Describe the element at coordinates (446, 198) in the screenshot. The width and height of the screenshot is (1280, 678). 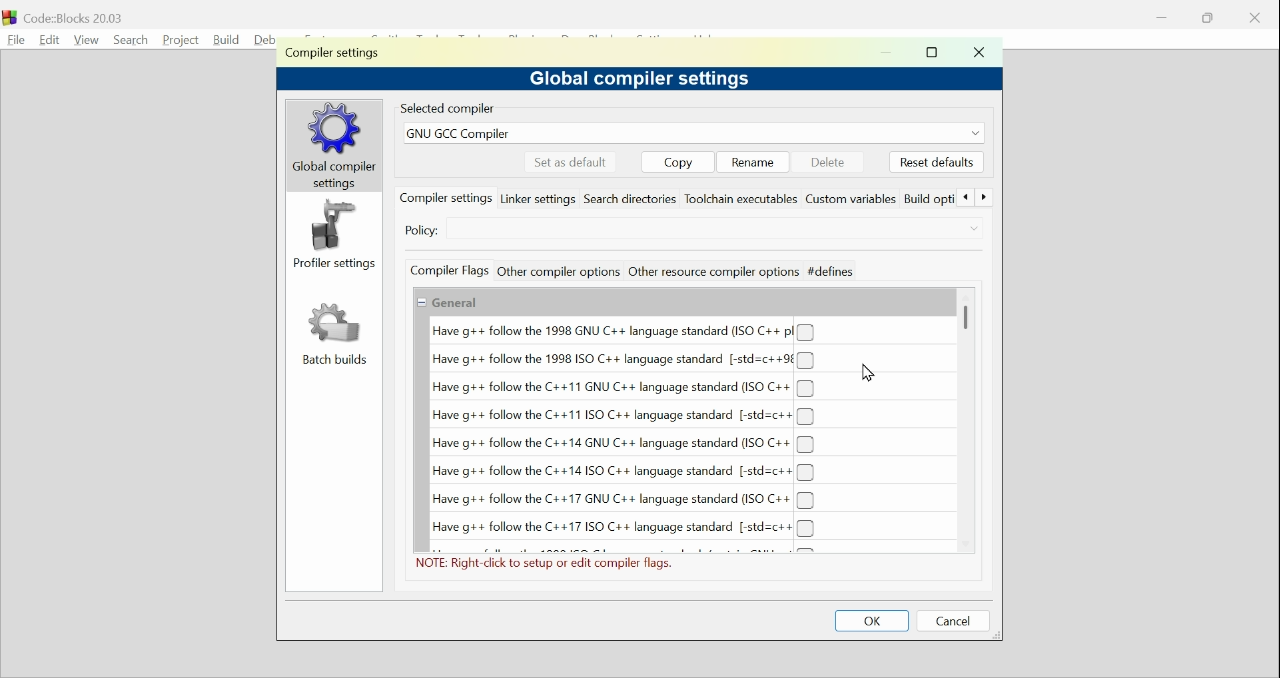
I see `compiler settings ` at that location.